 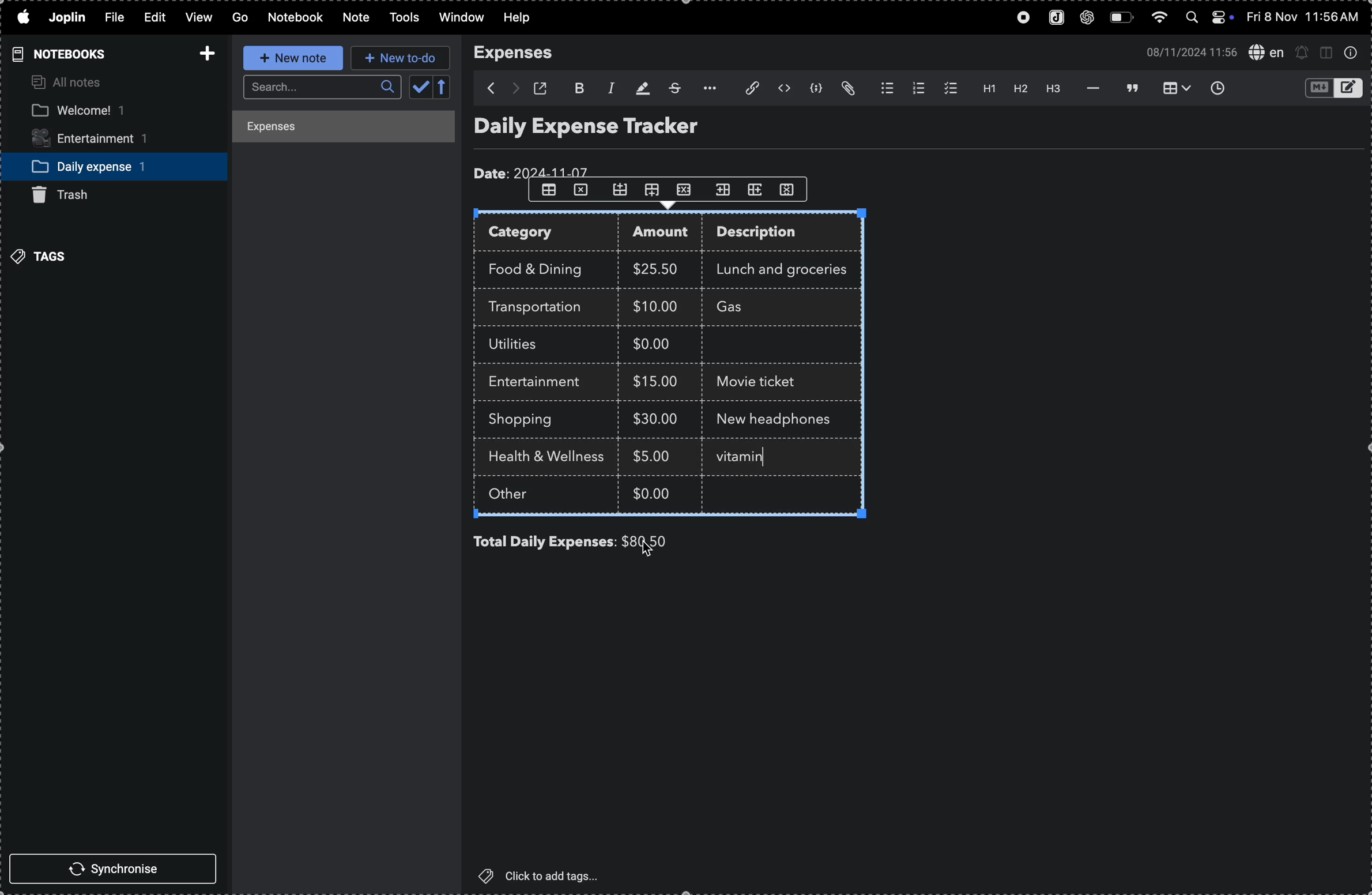 I want to click on bulletlist, so click(x=884, y=89).